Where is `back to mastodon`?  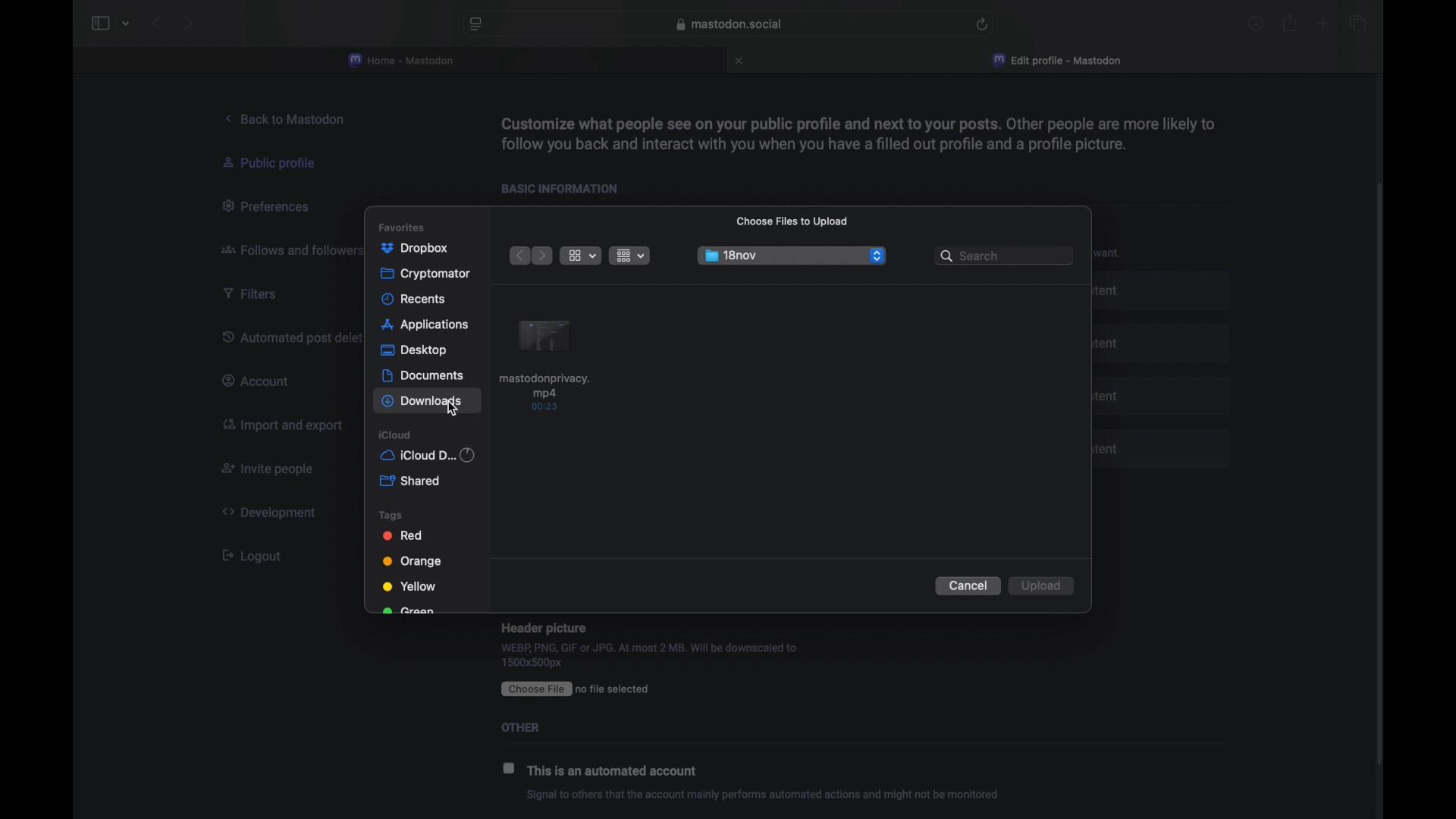 back to mastodon is located at coordinates (289, 119).